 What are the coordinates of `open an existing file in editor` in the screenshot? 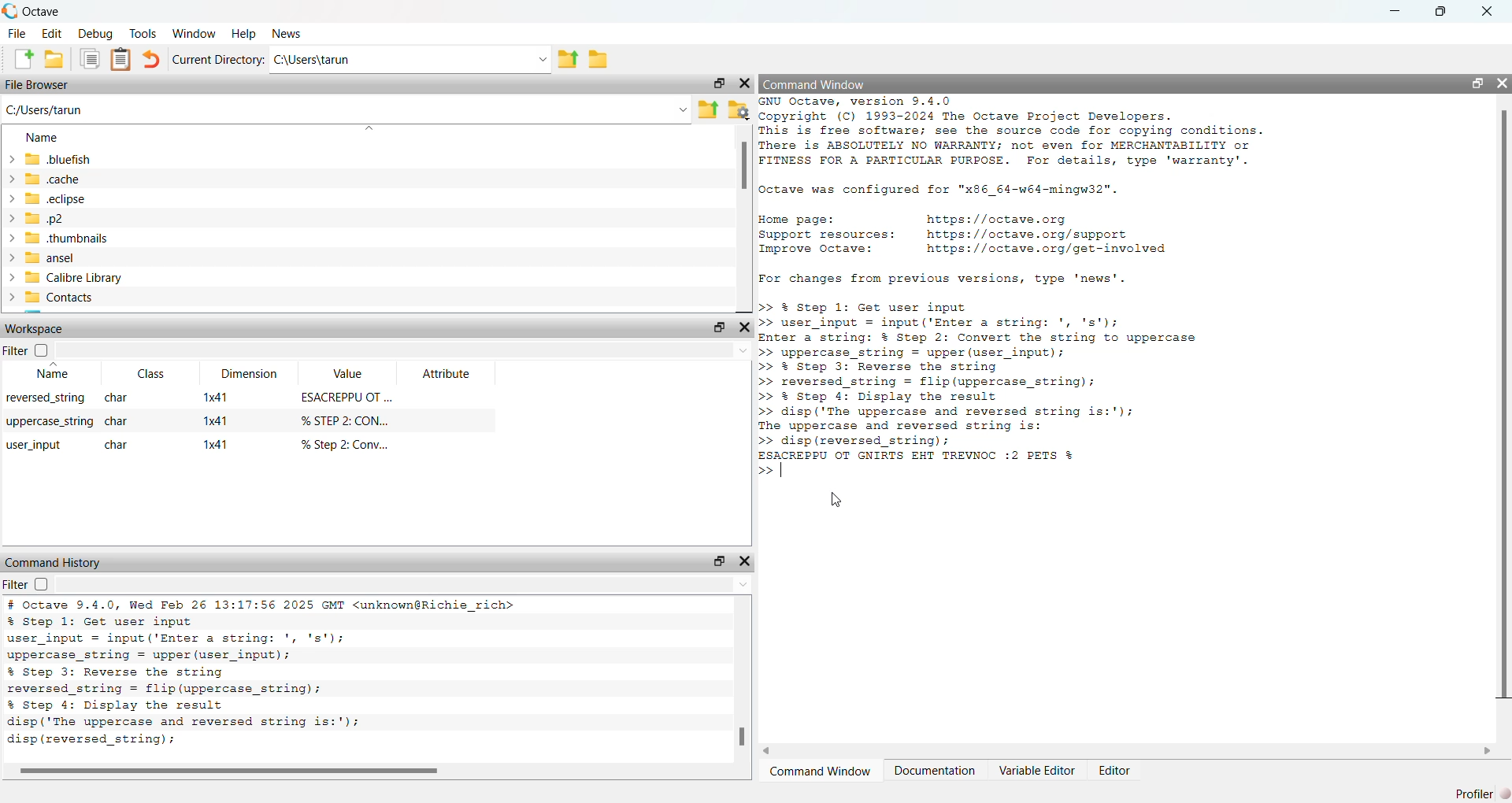 It's located at (55, 61).